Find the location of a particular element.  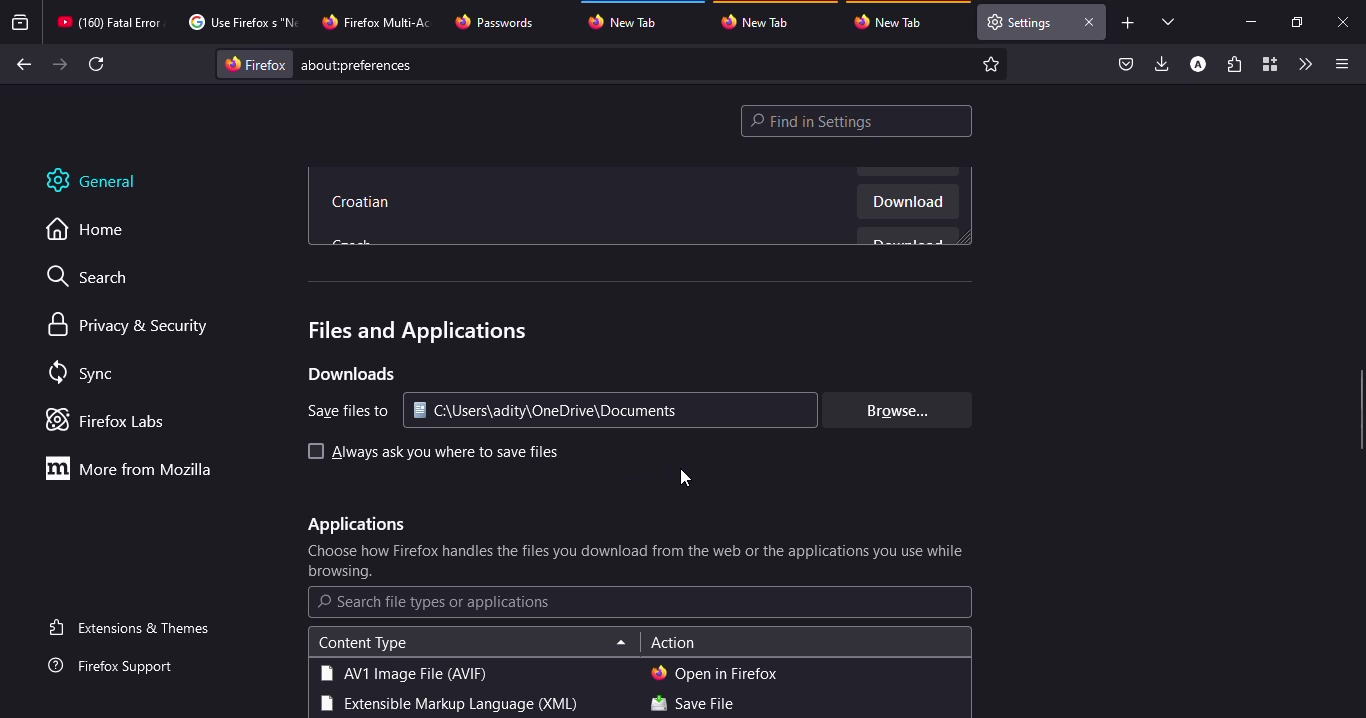

croatian is located at coordinates (364, 204).